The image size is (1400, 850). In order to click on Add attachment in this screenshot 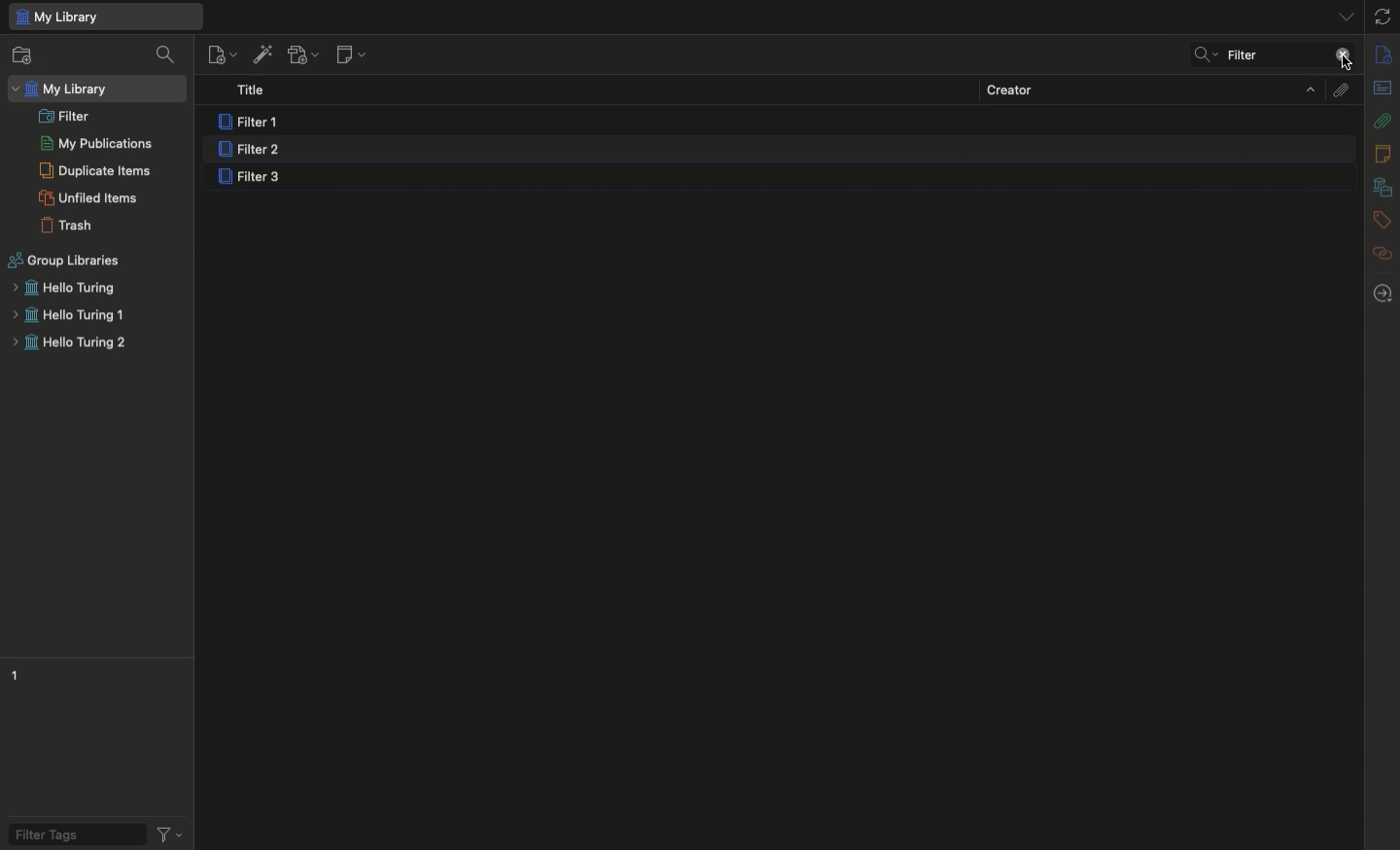, I will do `click(301, 56)`.